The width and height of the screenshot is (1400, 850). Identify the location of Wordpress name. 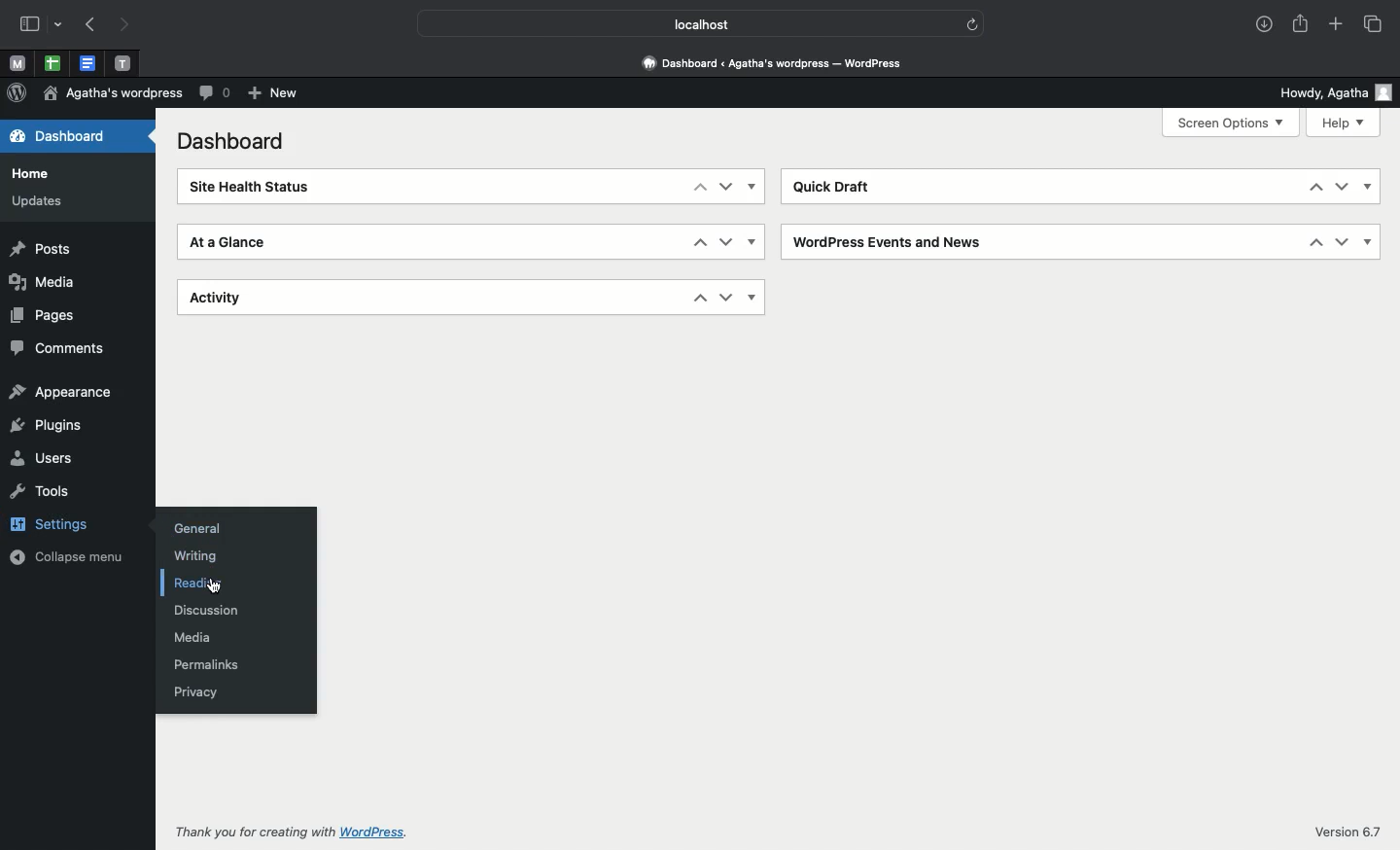
(115, 92).